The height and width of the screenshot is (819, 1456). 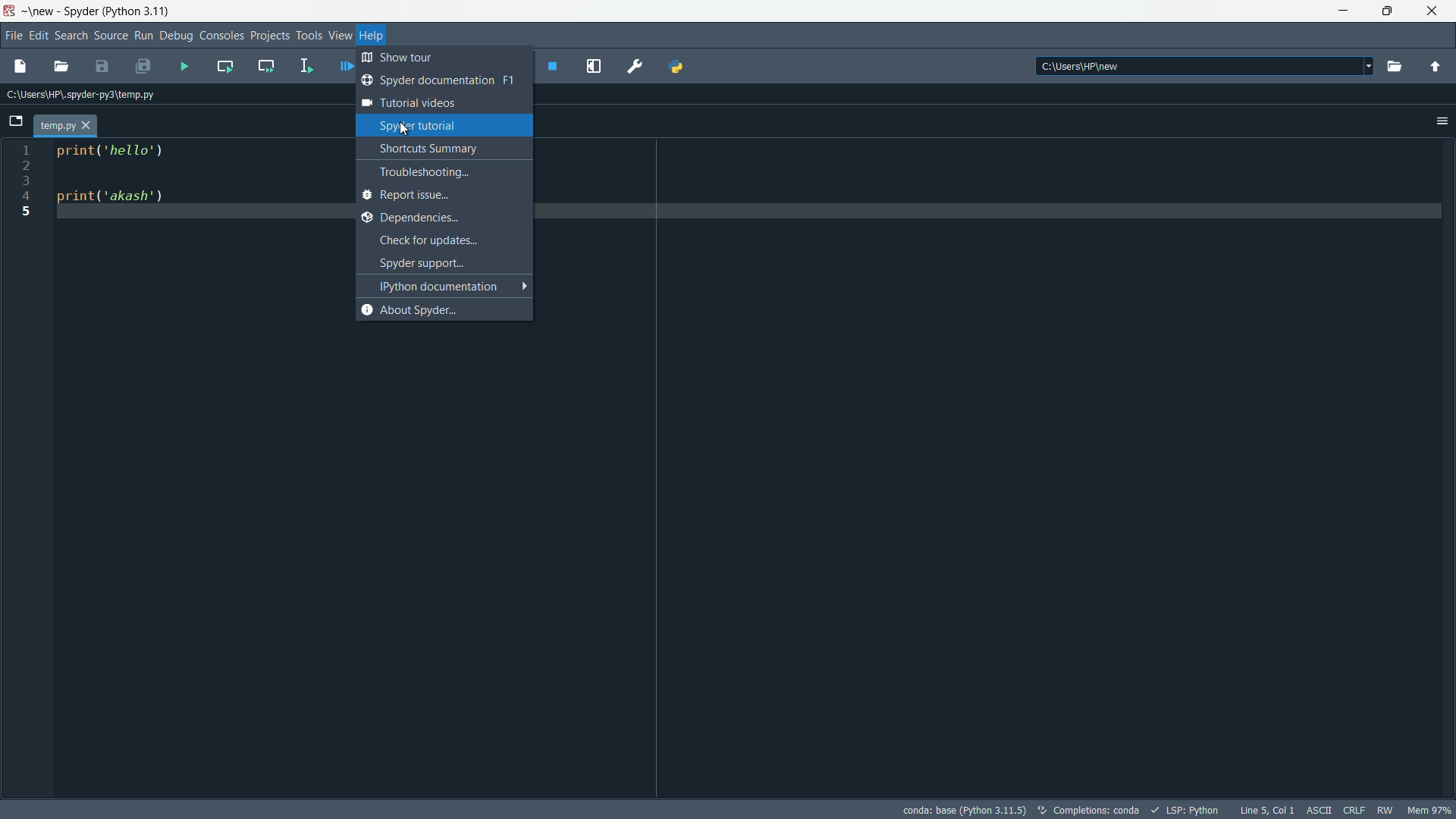 What do you see at coordinates (444, 240) in the screenshot?
I see `check for updates` at bounding box center [444, 240].